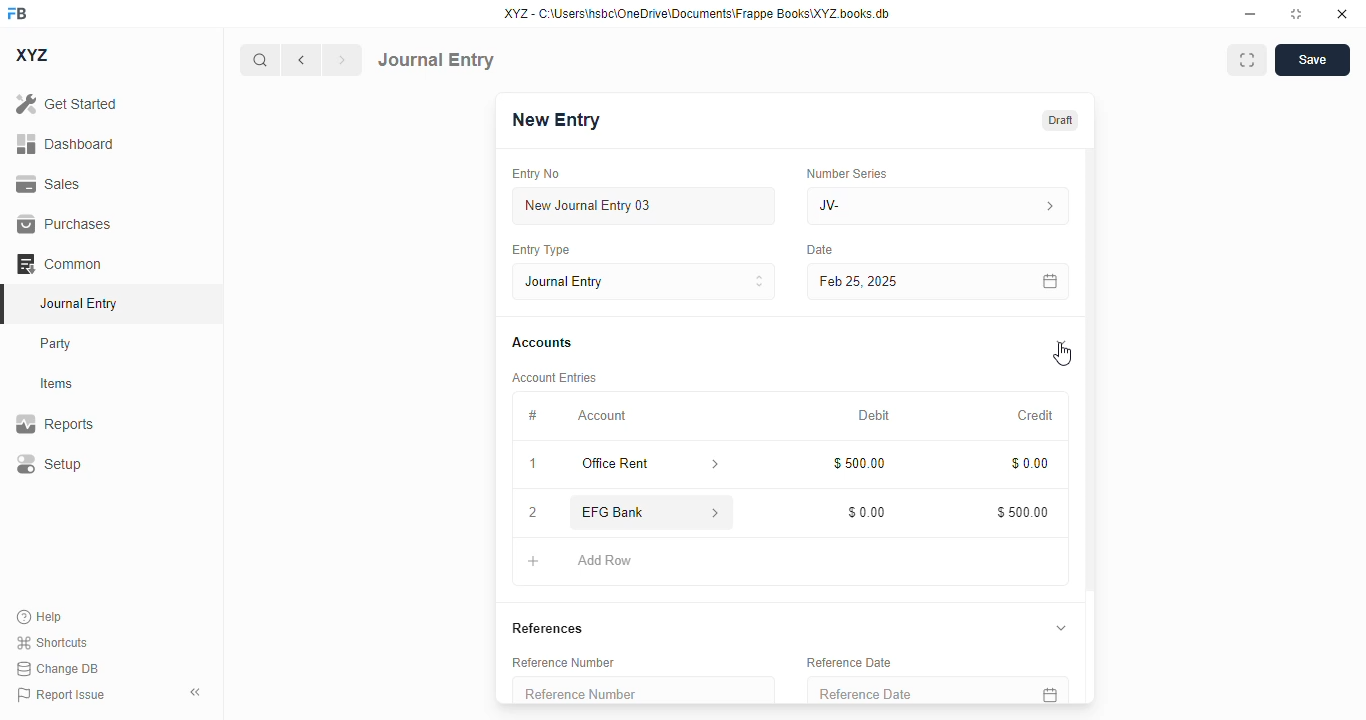 Image resolution: width=1366 pixels, height=720 pixels. What do you see at coordinates (1062, 355) in the screenshot?
I see `cursor` at bounding box center [1062, 355].